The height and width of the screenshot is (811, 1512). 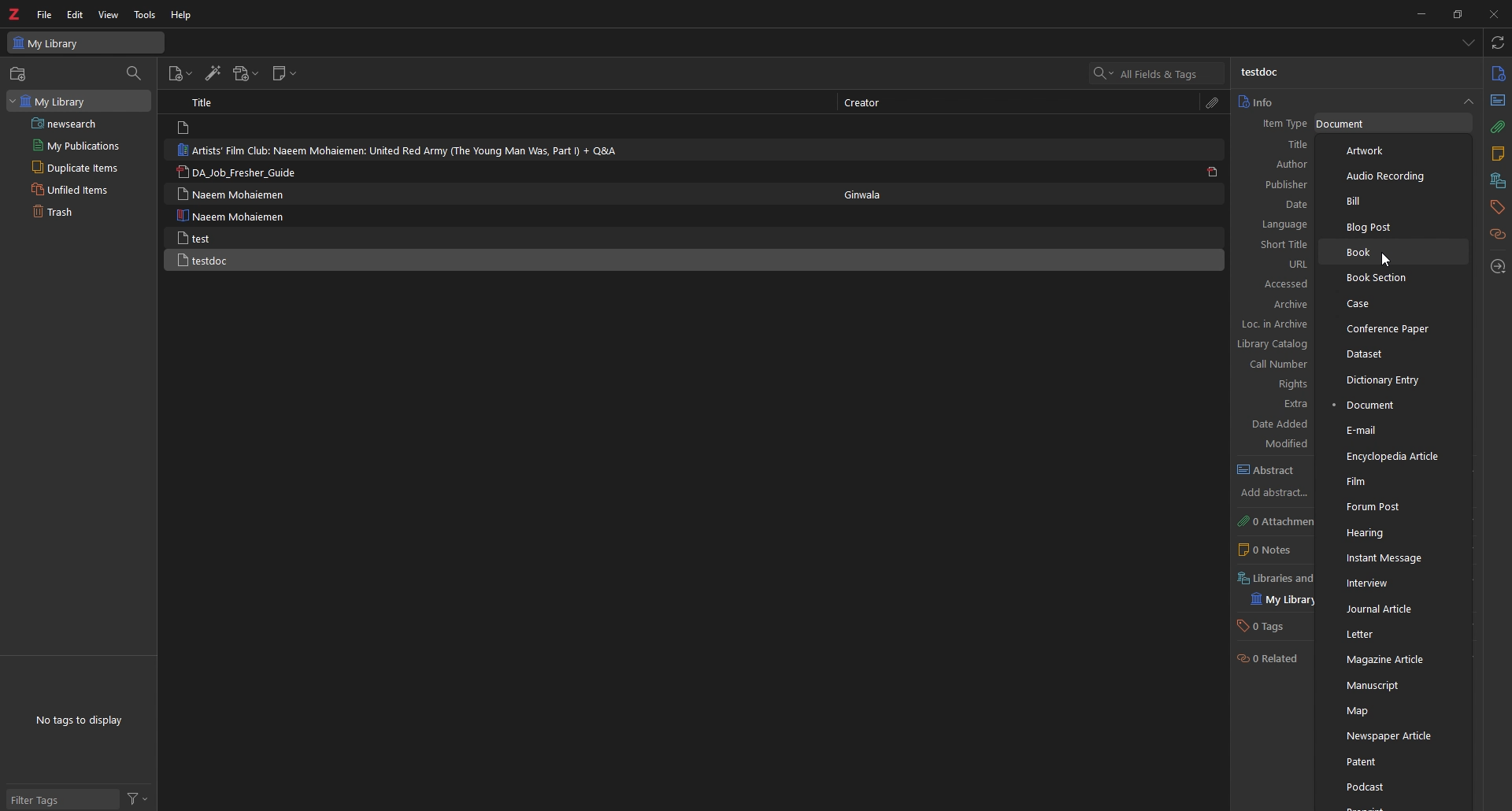 I want to click on DA_Job_Fresher_Guide, so click(x=239, y=172).